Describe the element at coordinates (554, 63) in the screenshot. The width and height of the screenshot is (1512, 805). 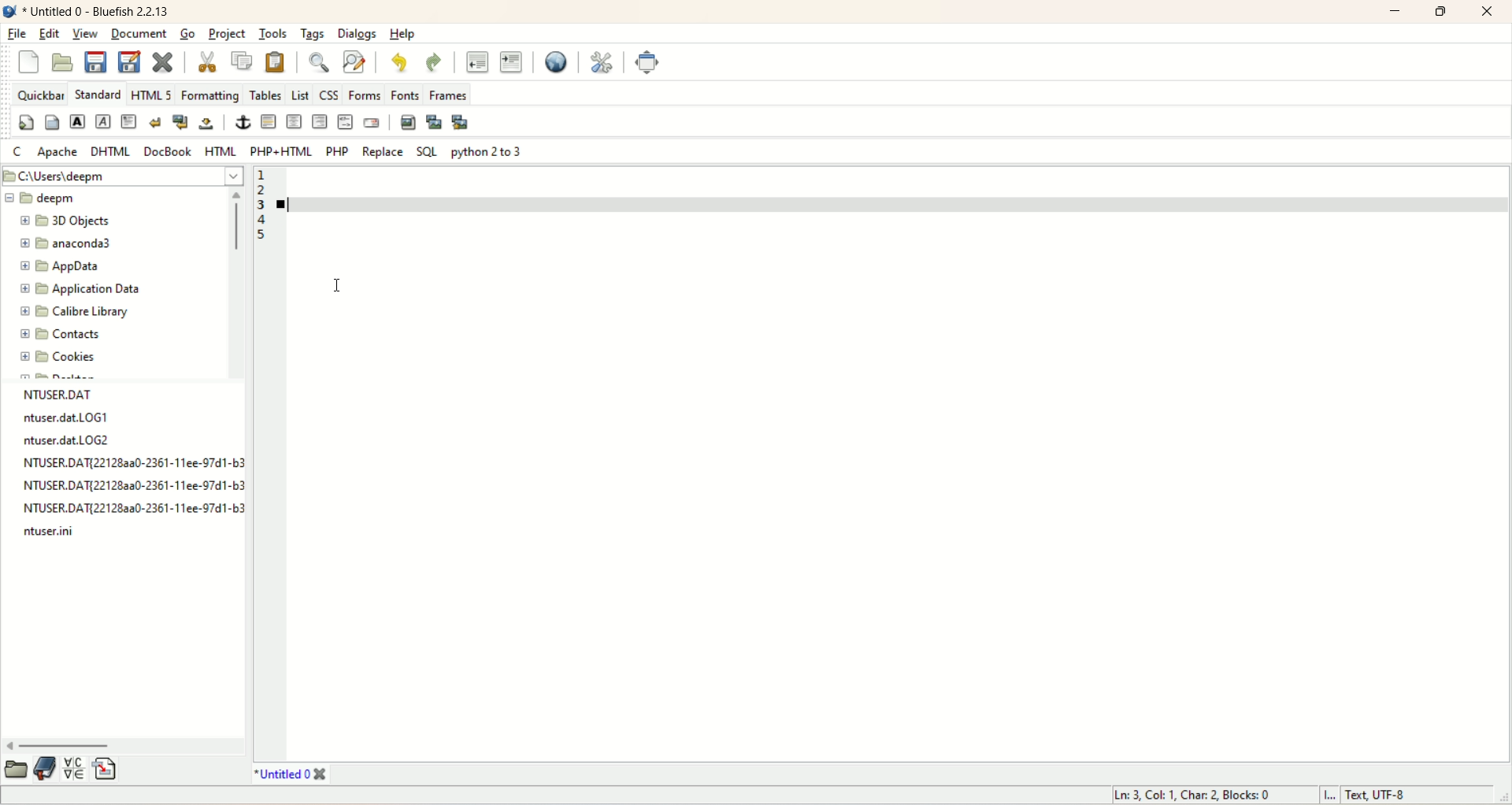
I see `preview in browser` at that location.